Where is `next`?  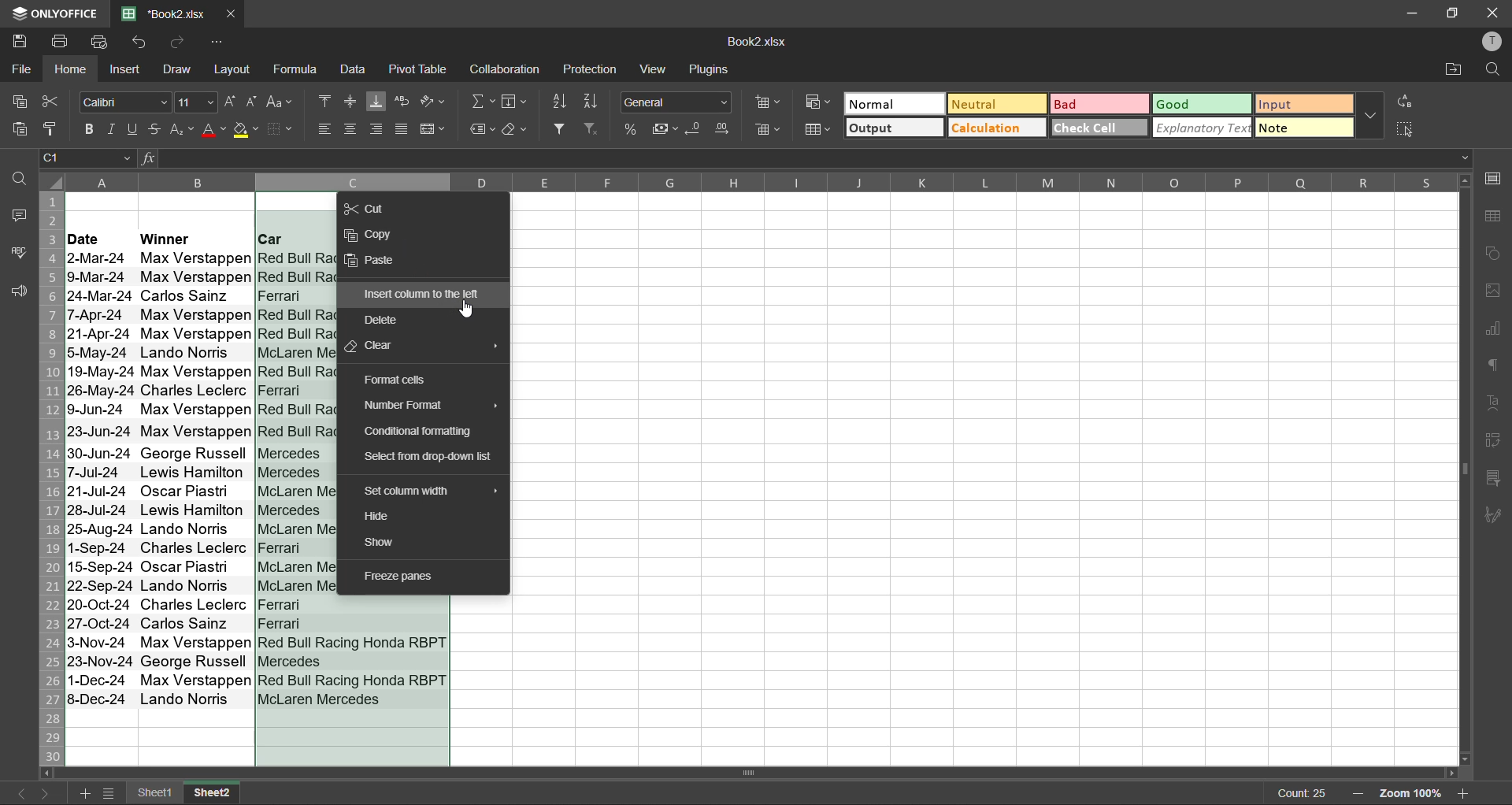 next is located at coordinates (50, 794).